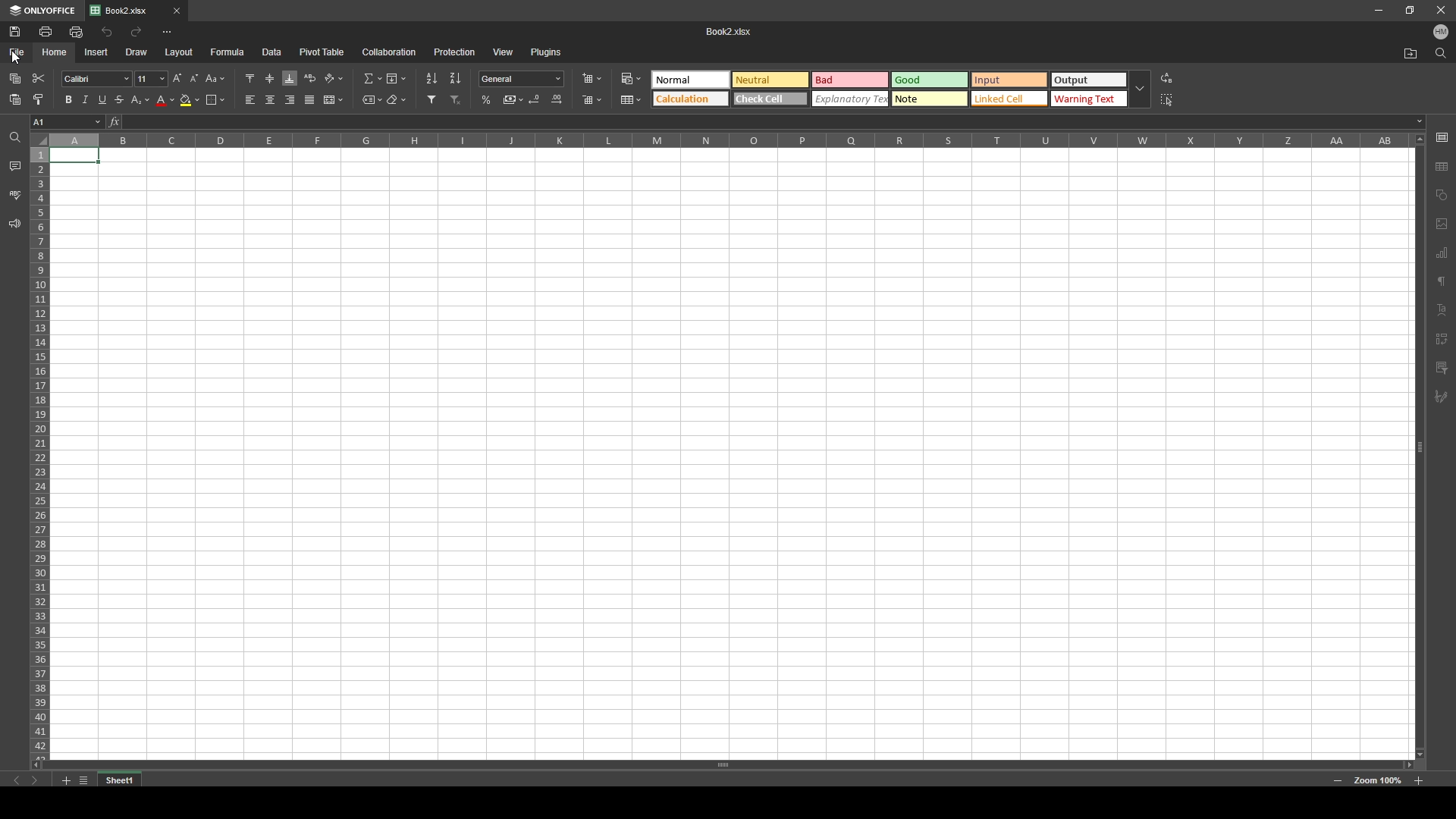 The width and height of the screenshot is (1456, 819). What do you see at coordinates (13, 136) in the screenshot?
I see `search` at bounding box center [13, 136].